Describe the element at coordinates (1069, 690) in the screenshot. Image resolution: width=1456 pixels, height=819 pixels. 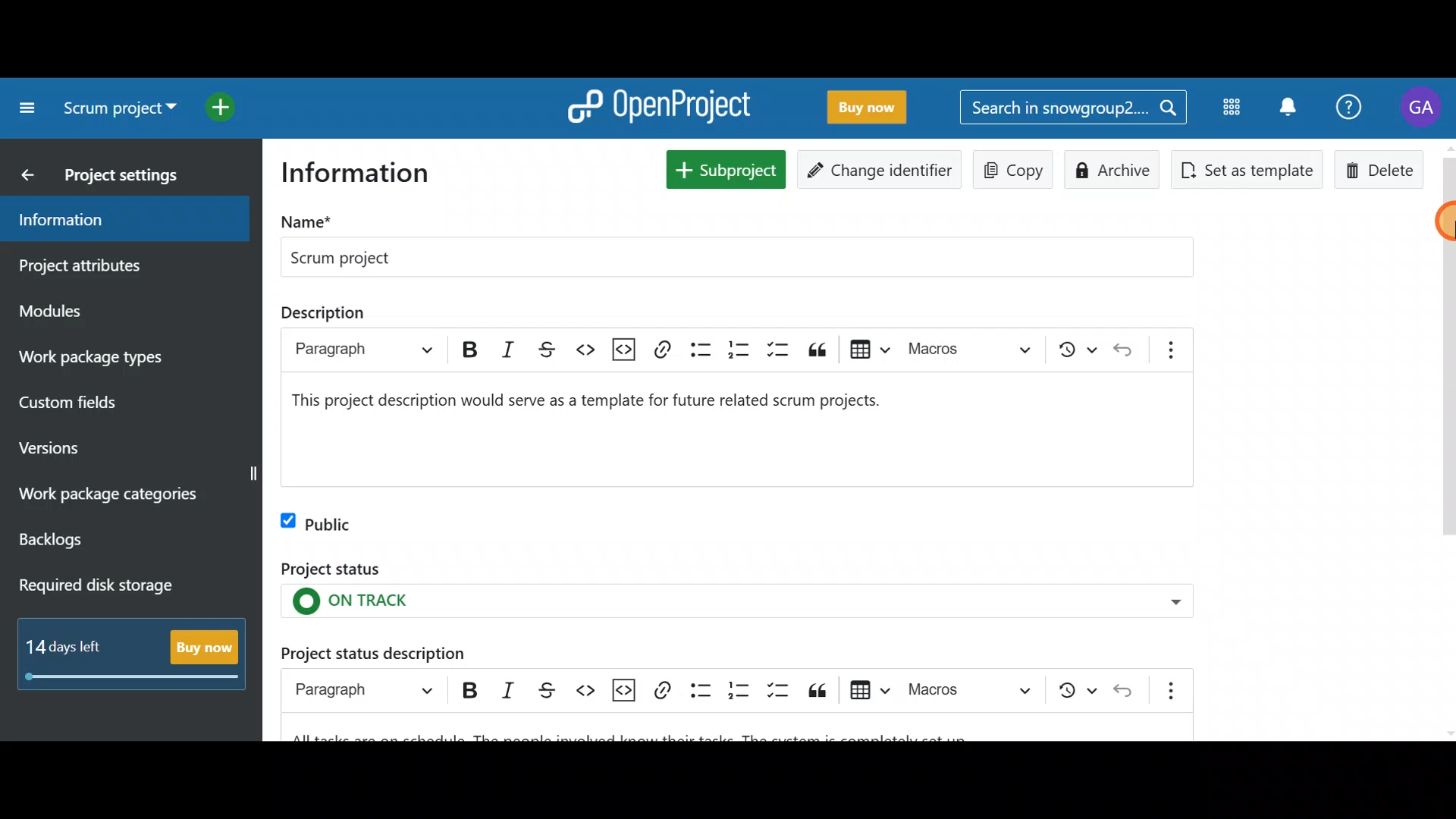
I see `Show local modifications` at that location.